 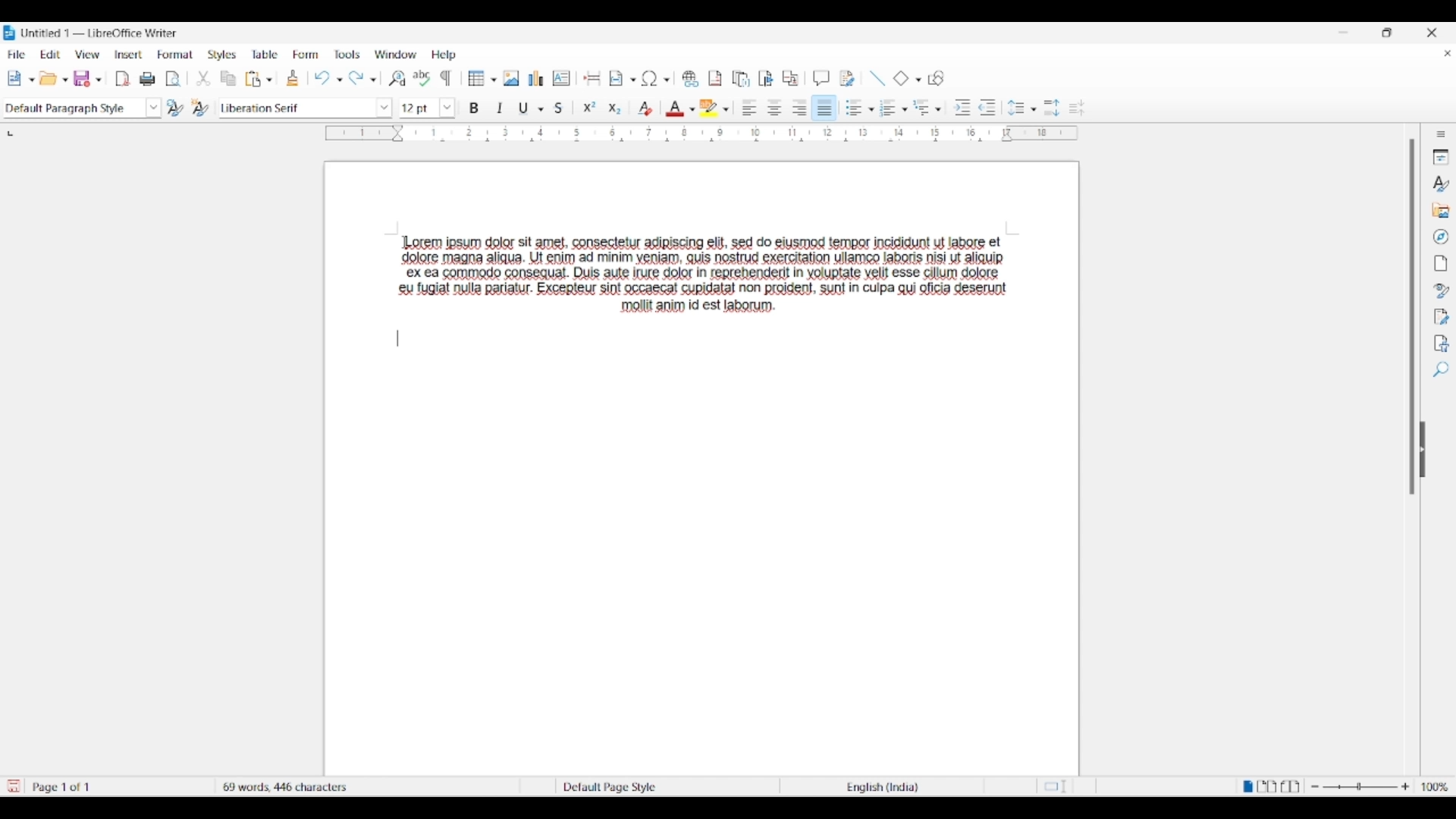 What do you see at coordinates (446, 78) in the screenshot?
I see `Toggle formatting marks` at bounding box center [446, 78].